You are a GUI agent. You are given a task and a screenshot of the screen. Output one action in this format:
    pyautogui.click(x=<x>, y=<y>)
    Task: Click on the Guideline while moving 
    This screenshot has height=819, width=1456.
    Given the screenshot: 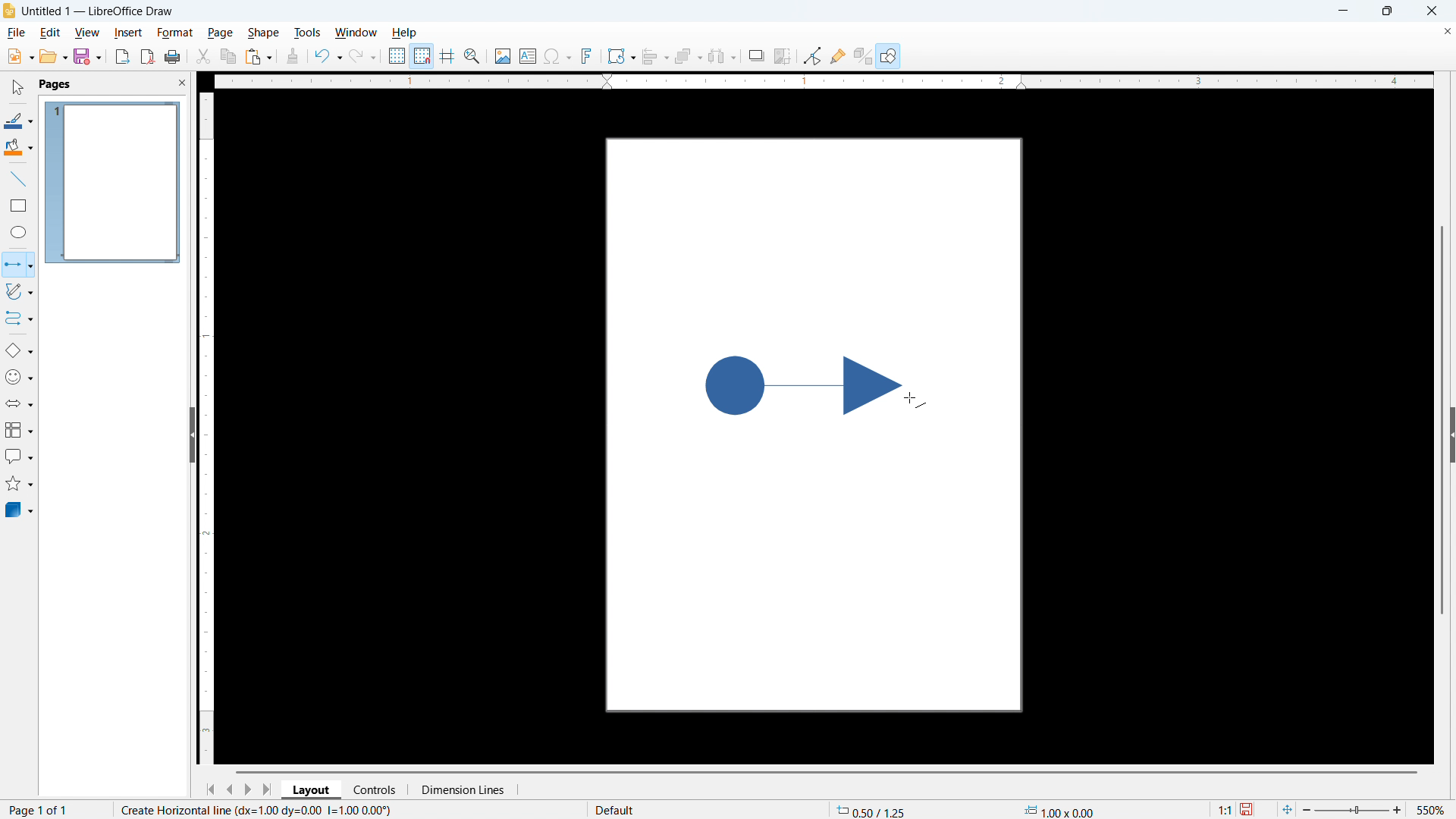 What is the action you would take?
    pyautogui.click(x=447, y=55)
    